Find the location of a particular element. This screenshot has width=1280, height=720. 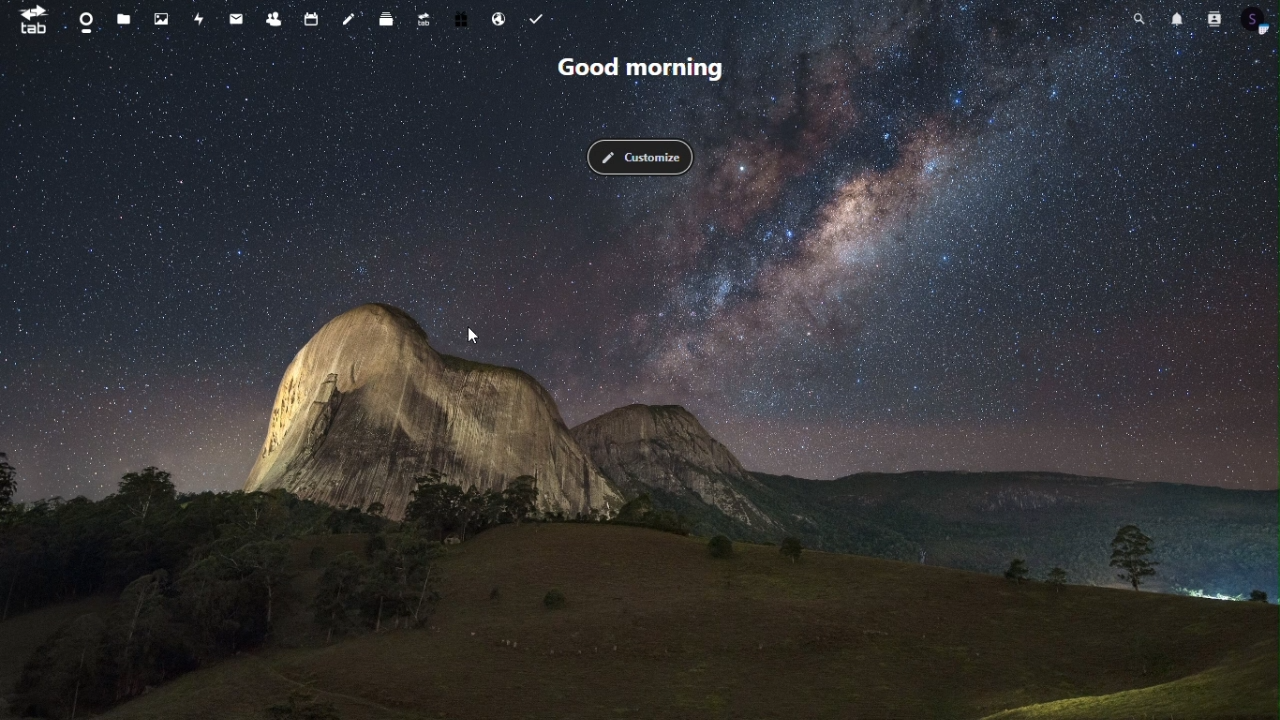

photos is located at coordinates (164, 21).